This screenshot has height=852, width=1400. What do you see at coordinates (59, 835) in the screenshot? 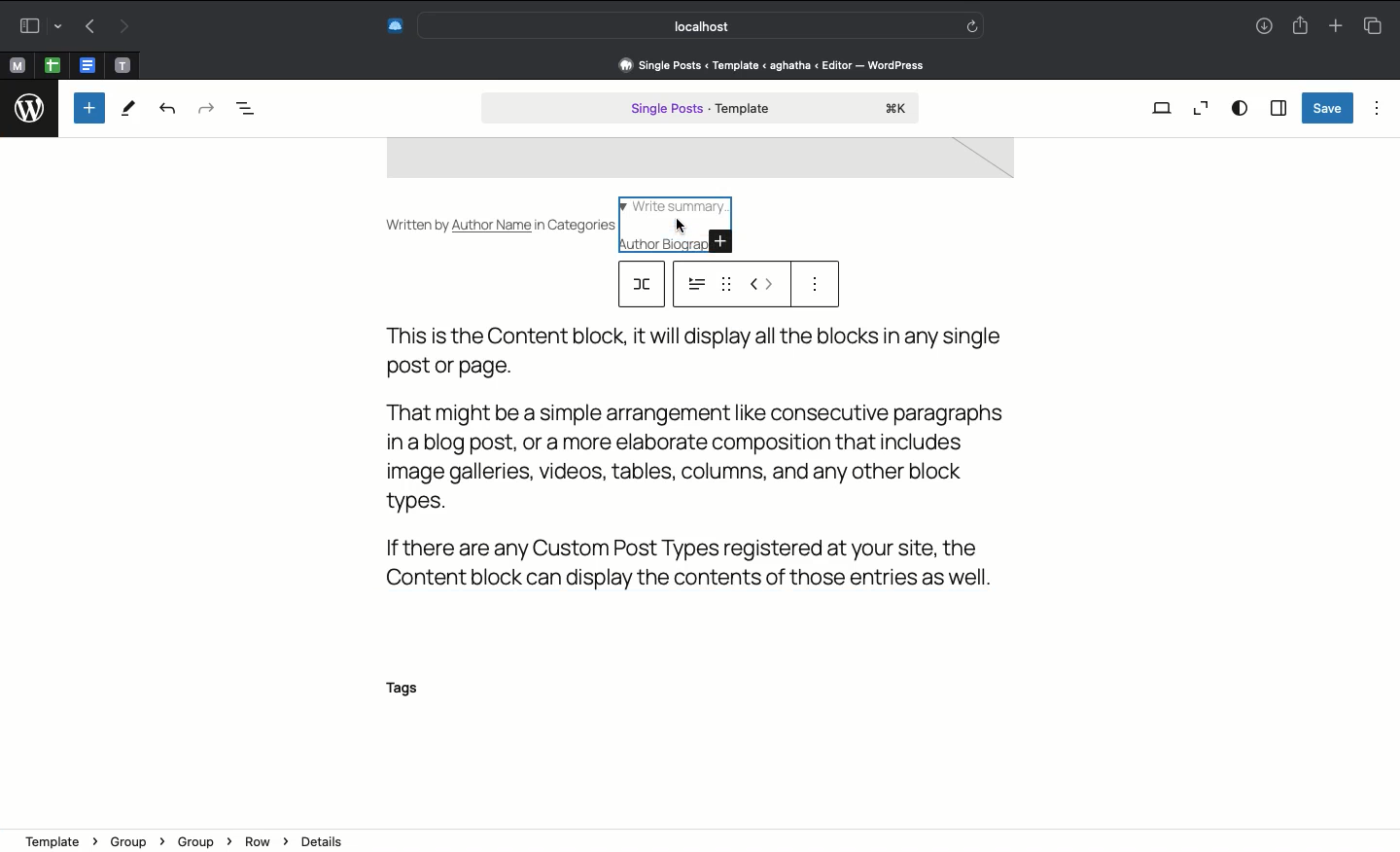
I see `template` at bounding box center [59, 835].